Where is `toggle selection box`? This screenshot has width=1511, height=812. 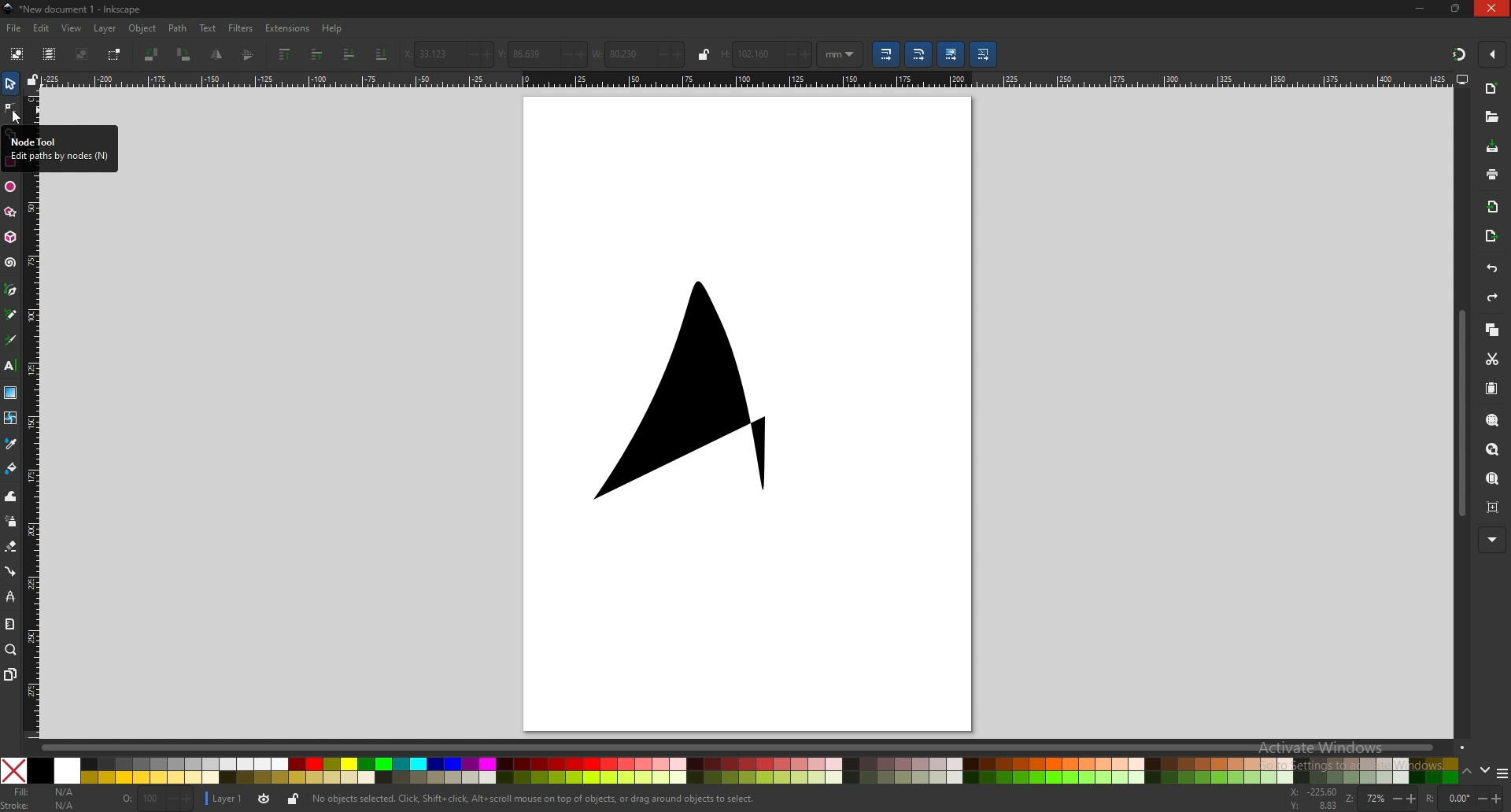 toggle selection box is located at coordinates (116, 56).